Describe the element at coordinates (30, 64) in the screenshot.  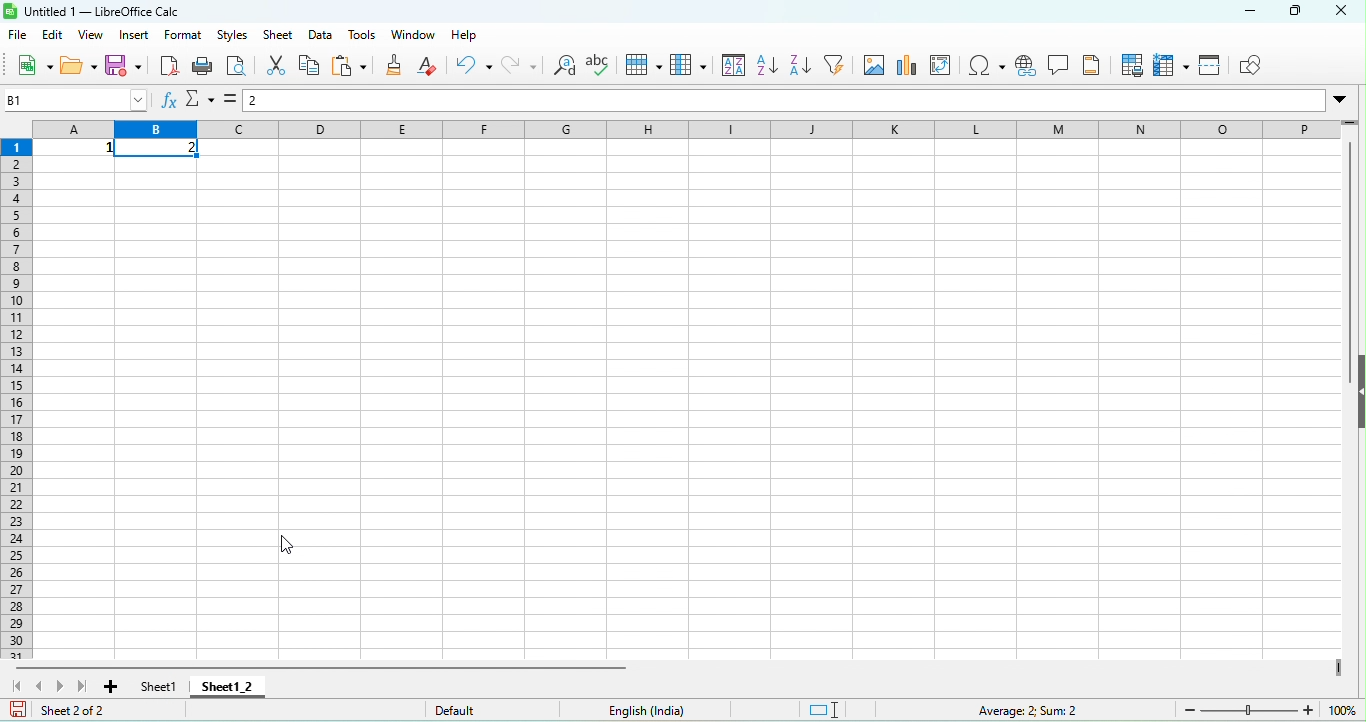
I see `new` at that location.